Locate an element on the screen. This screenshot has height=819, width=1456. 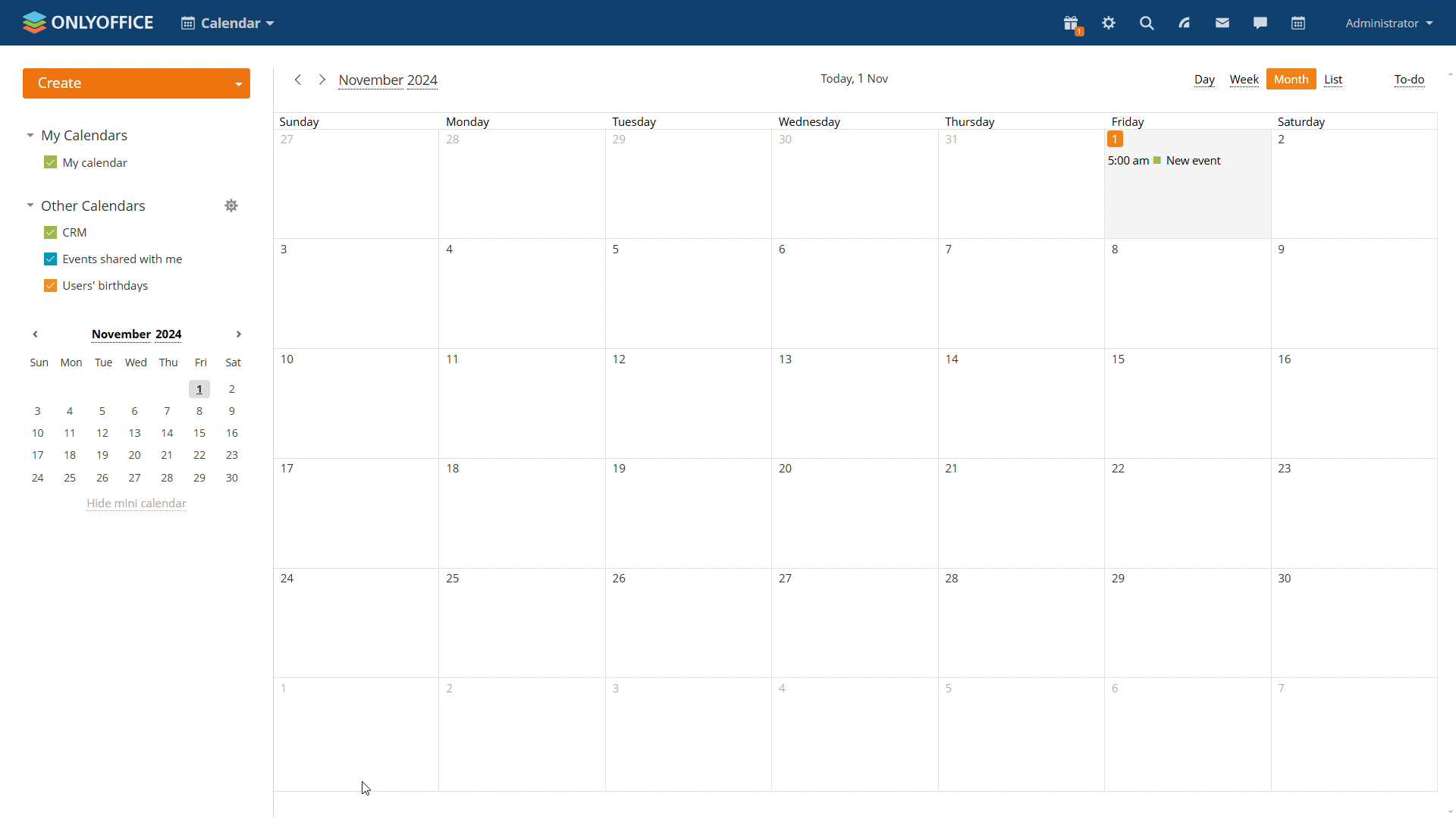
existing event on friday 1st november is located at coordinates (1189, 162).